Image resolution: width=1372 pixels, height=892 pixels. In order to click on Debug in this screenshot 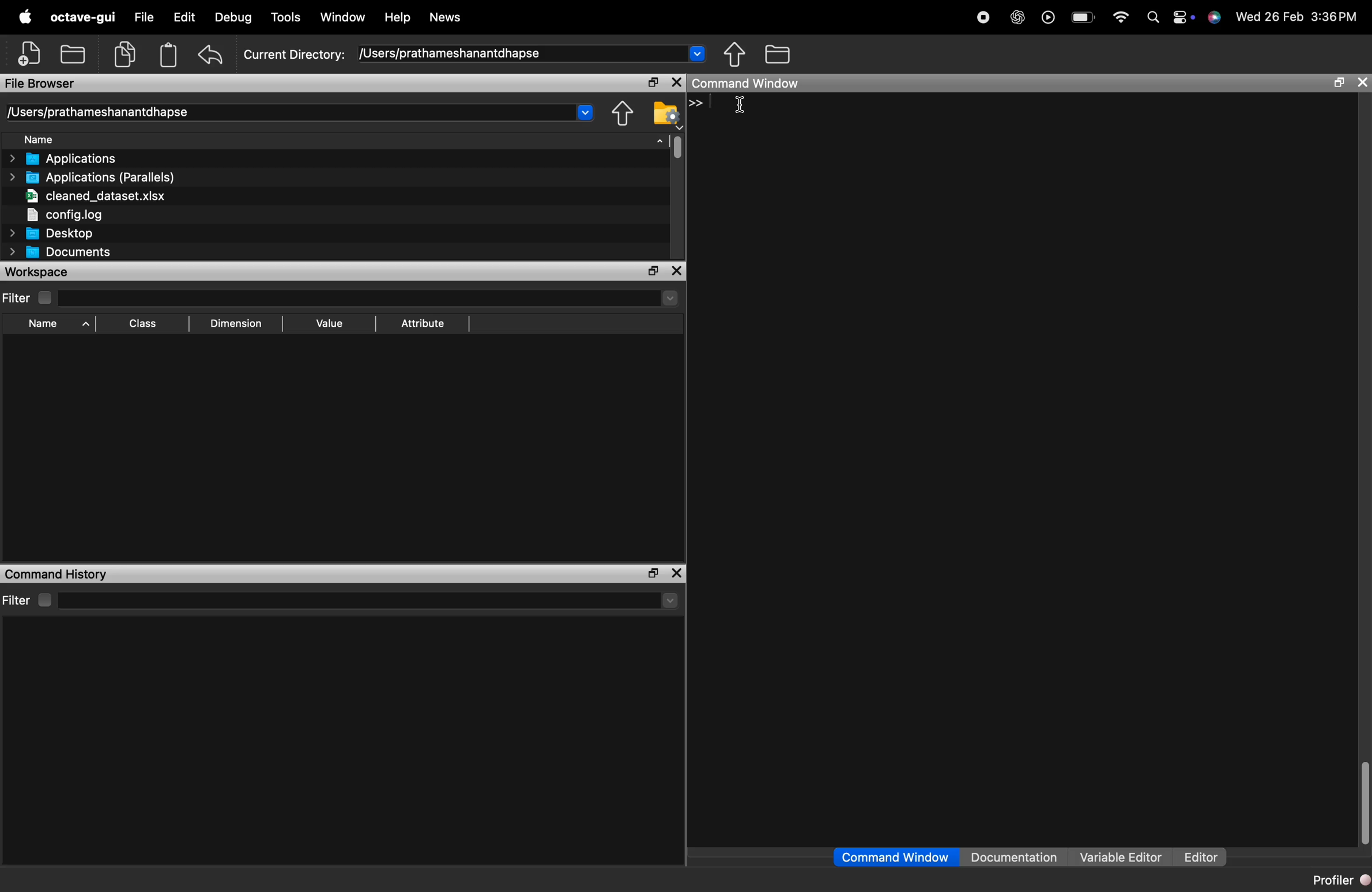, I will do `click(232, 17)`.